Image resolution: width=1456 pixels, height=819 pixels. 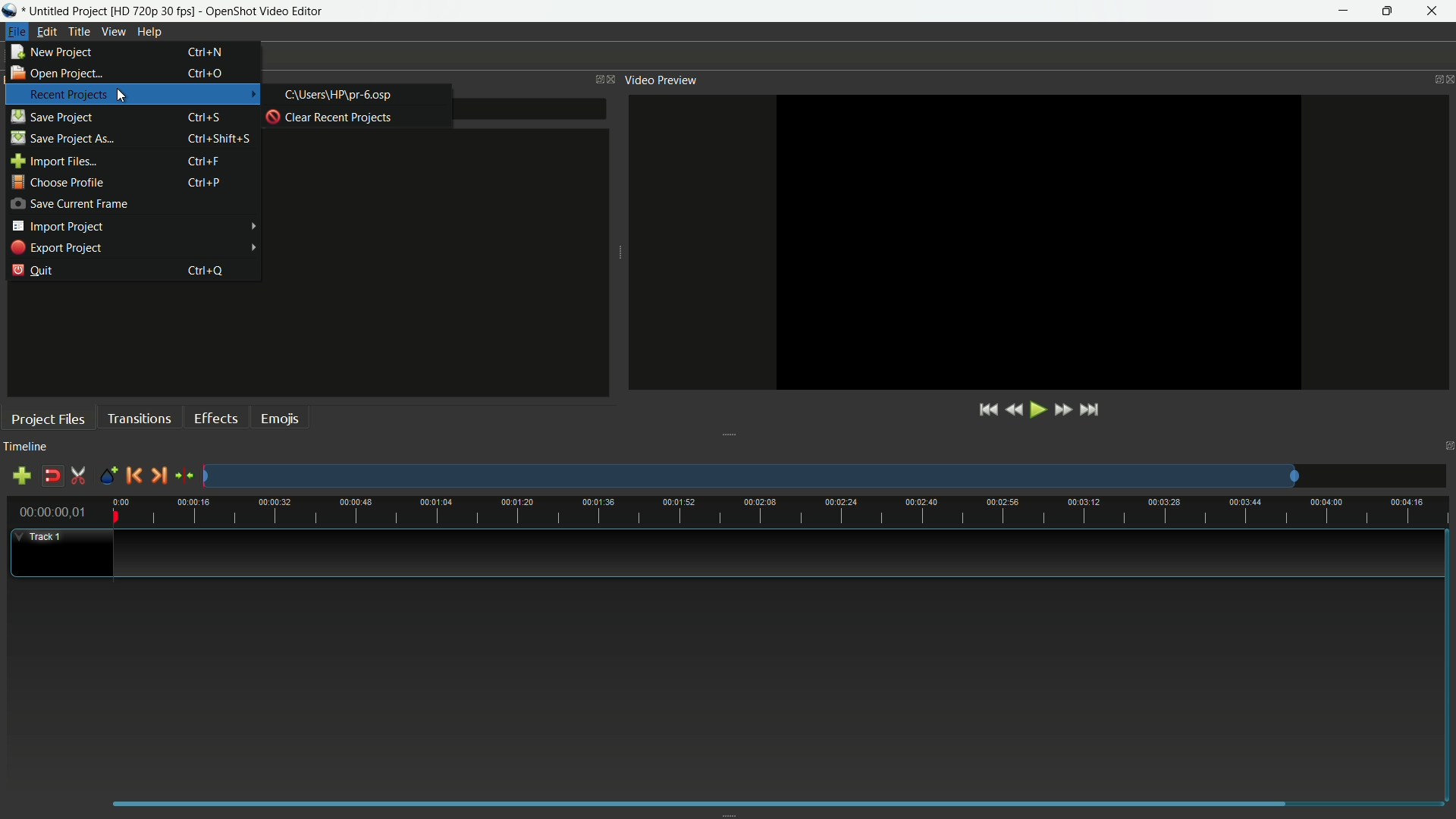 What do you see at coordinates (612, 80) in the screenshot?
I see `close` at bounding box center [612, 80].